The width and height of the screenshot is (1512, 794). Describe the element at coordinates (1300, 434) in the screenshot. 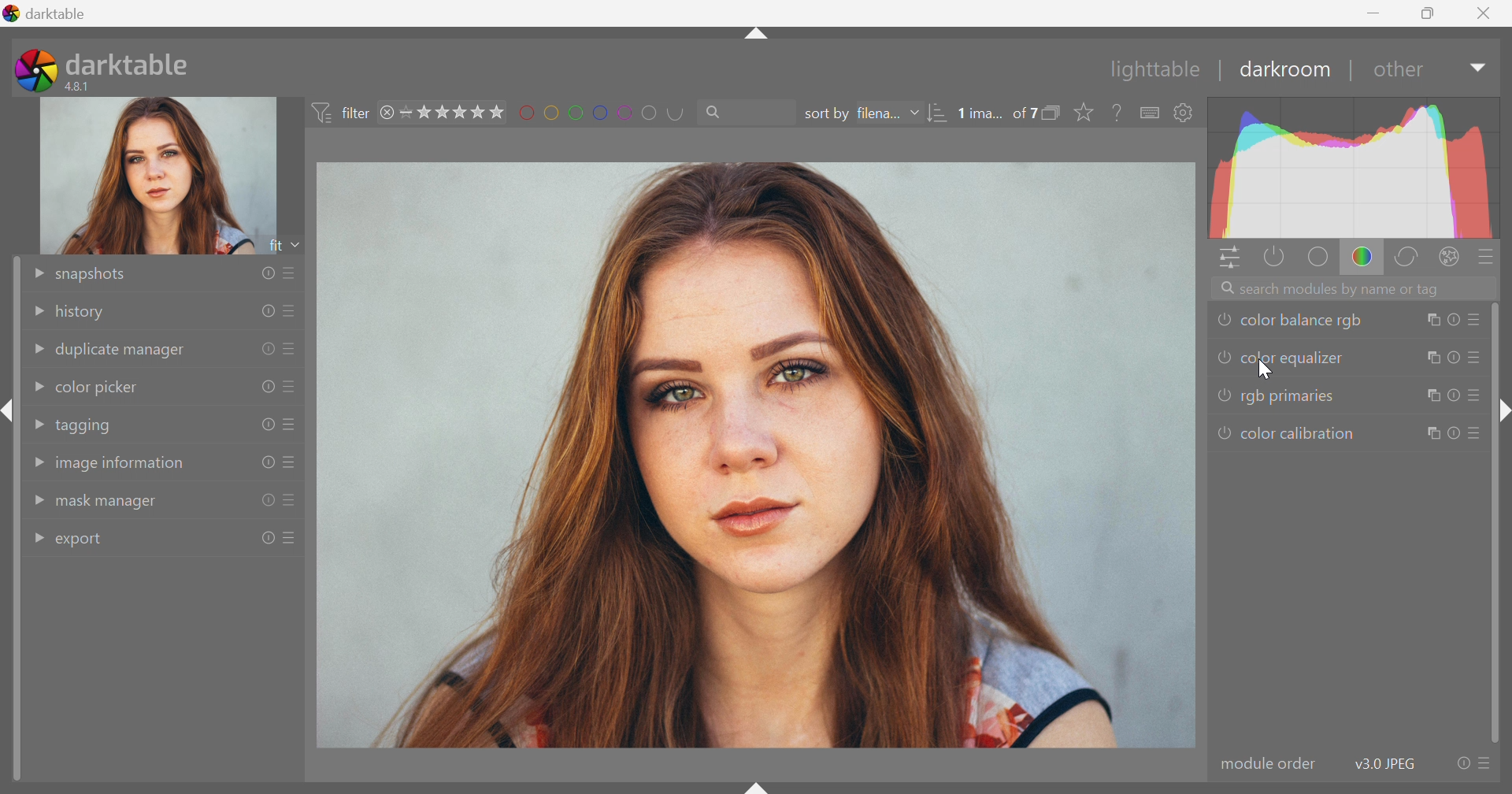

I see `color calibration` at that location.